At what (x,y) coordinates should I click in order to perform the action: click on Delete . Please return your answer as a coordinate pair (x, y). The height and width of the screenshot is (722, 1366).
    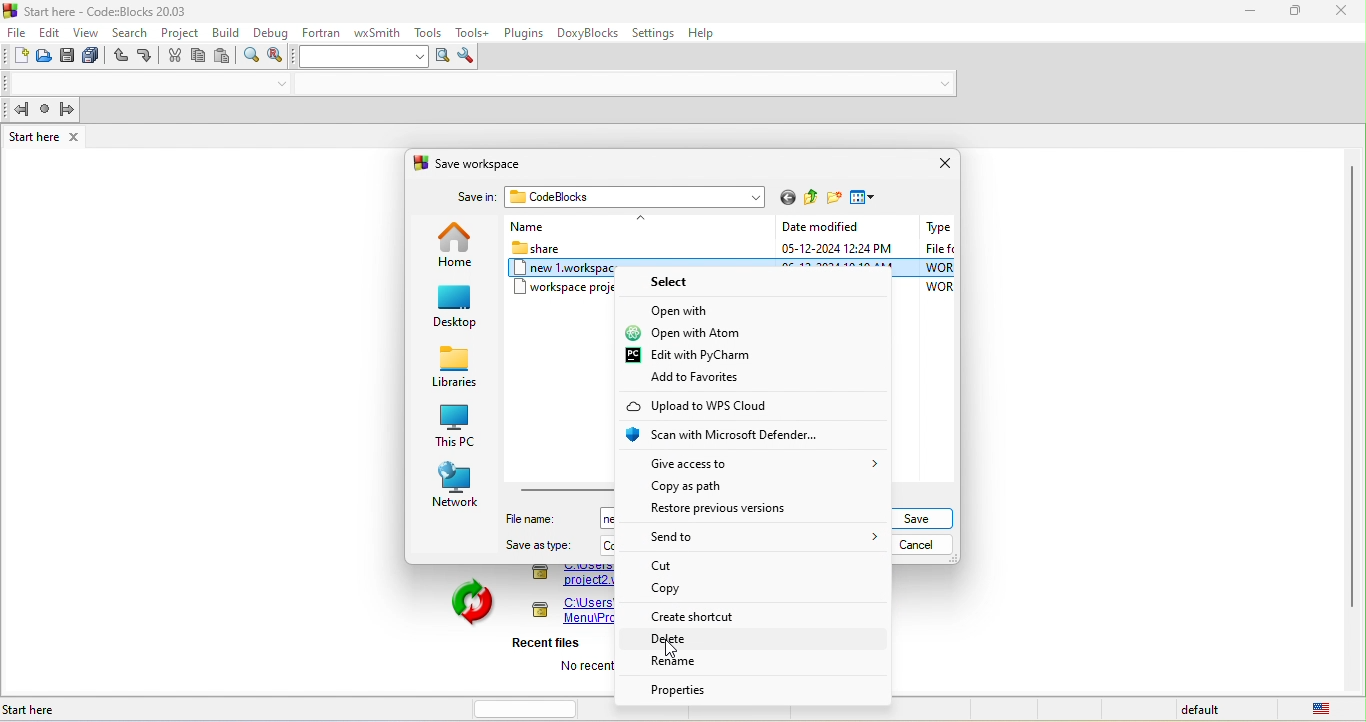
    Looking at the image, I should click on (742, 639).